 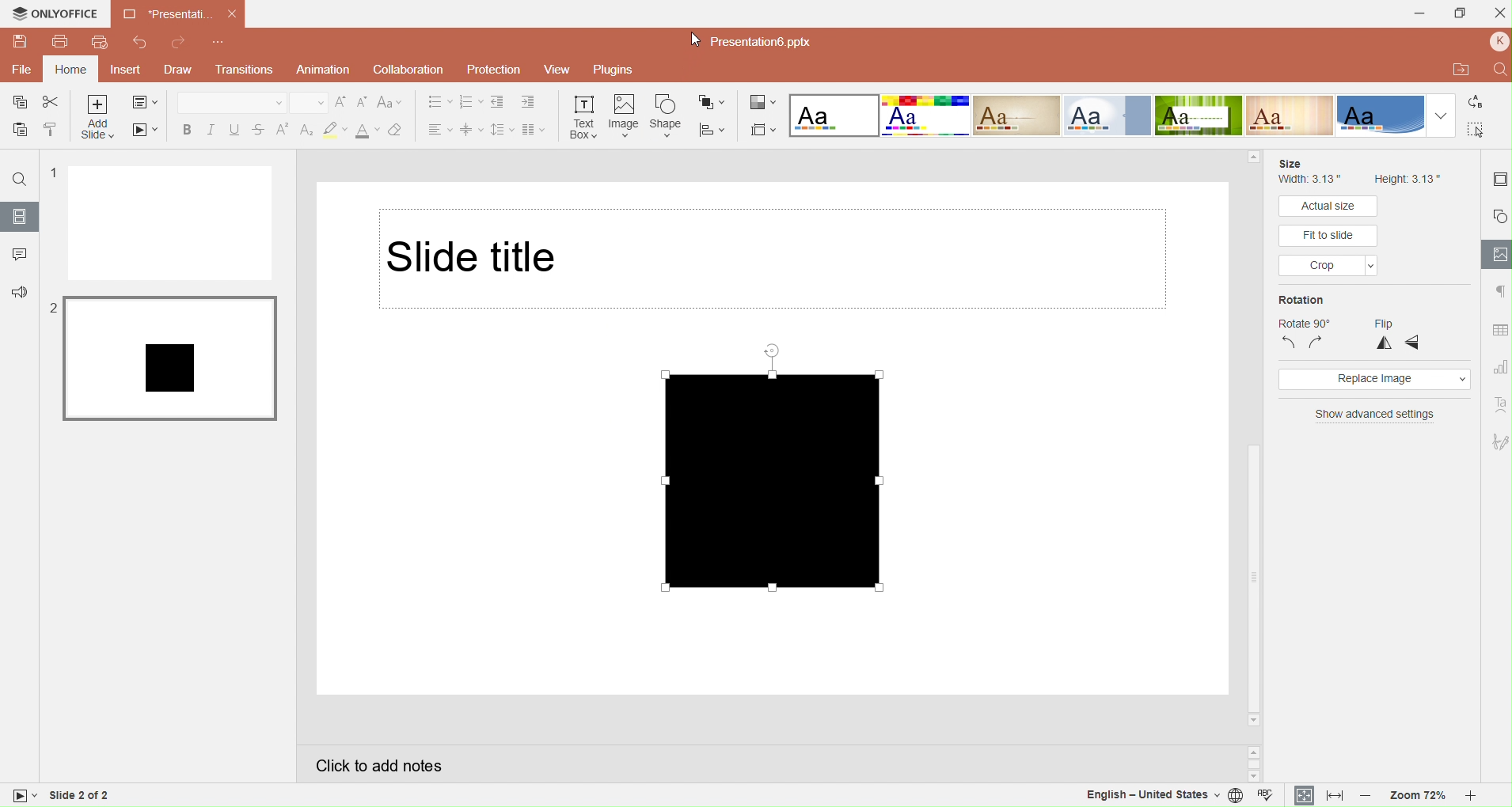 What do you see at coordinates (177, 70) in the screenshot?
I see `Draw` at bounding box center [177, 70].